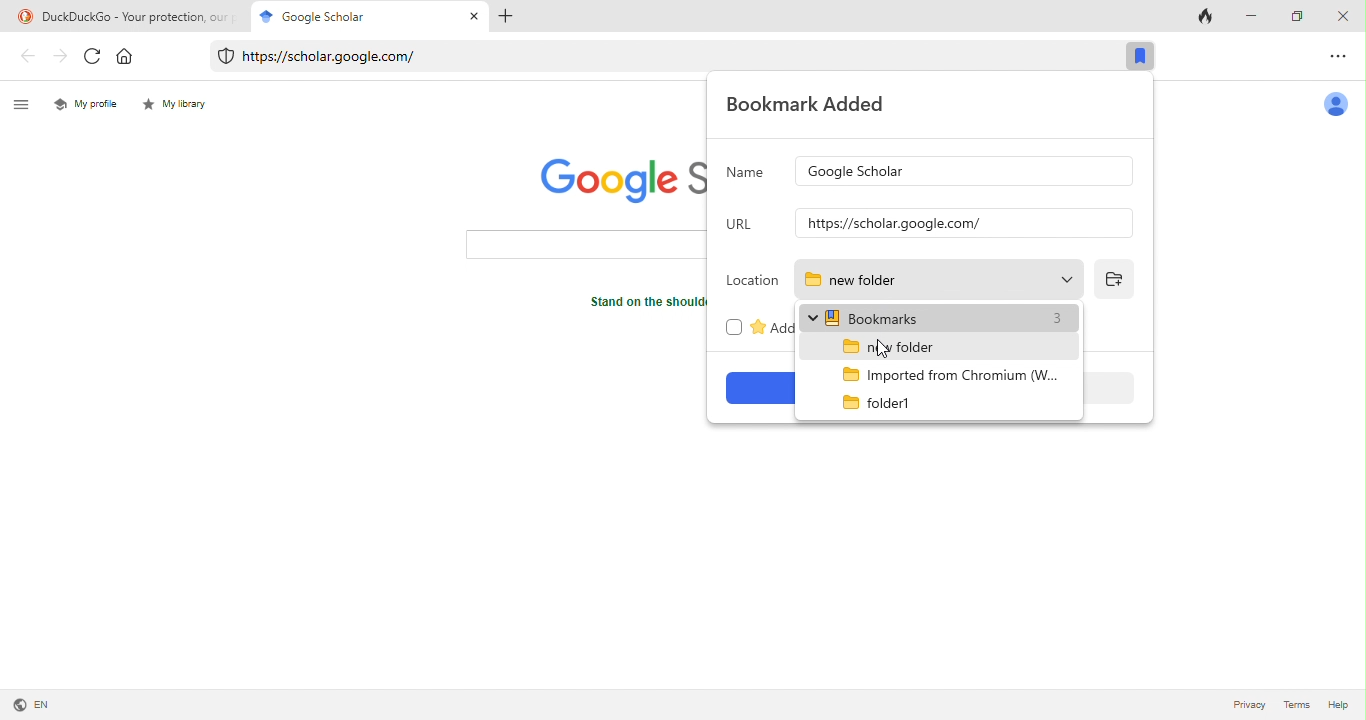 The height and width of the screenshot is (720, 1366). I want to click on privacy, so click(1249, 707).